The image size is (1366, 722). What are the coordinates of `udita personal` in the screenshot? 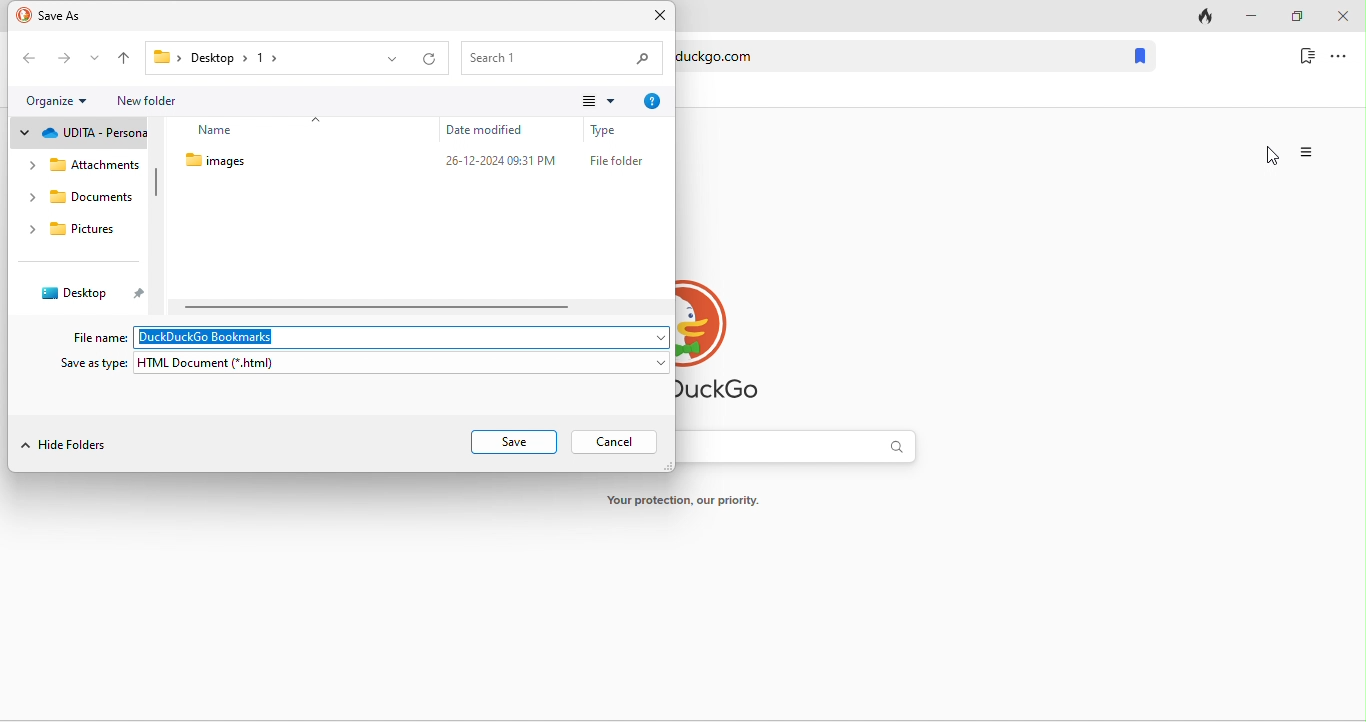 It's located at (82, 132).